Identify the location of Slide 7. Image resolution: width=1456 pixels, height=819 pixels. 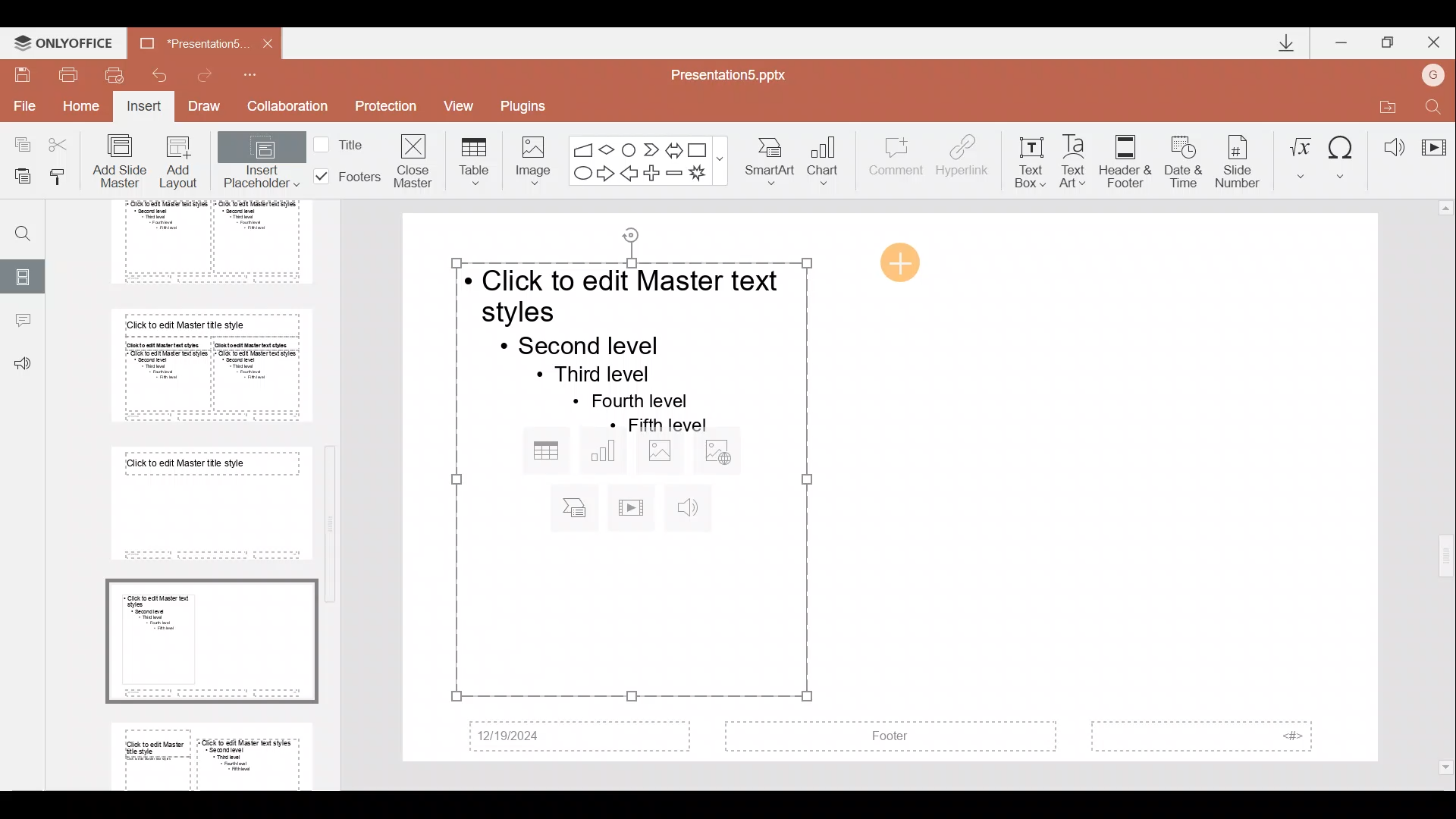
(206, 503).